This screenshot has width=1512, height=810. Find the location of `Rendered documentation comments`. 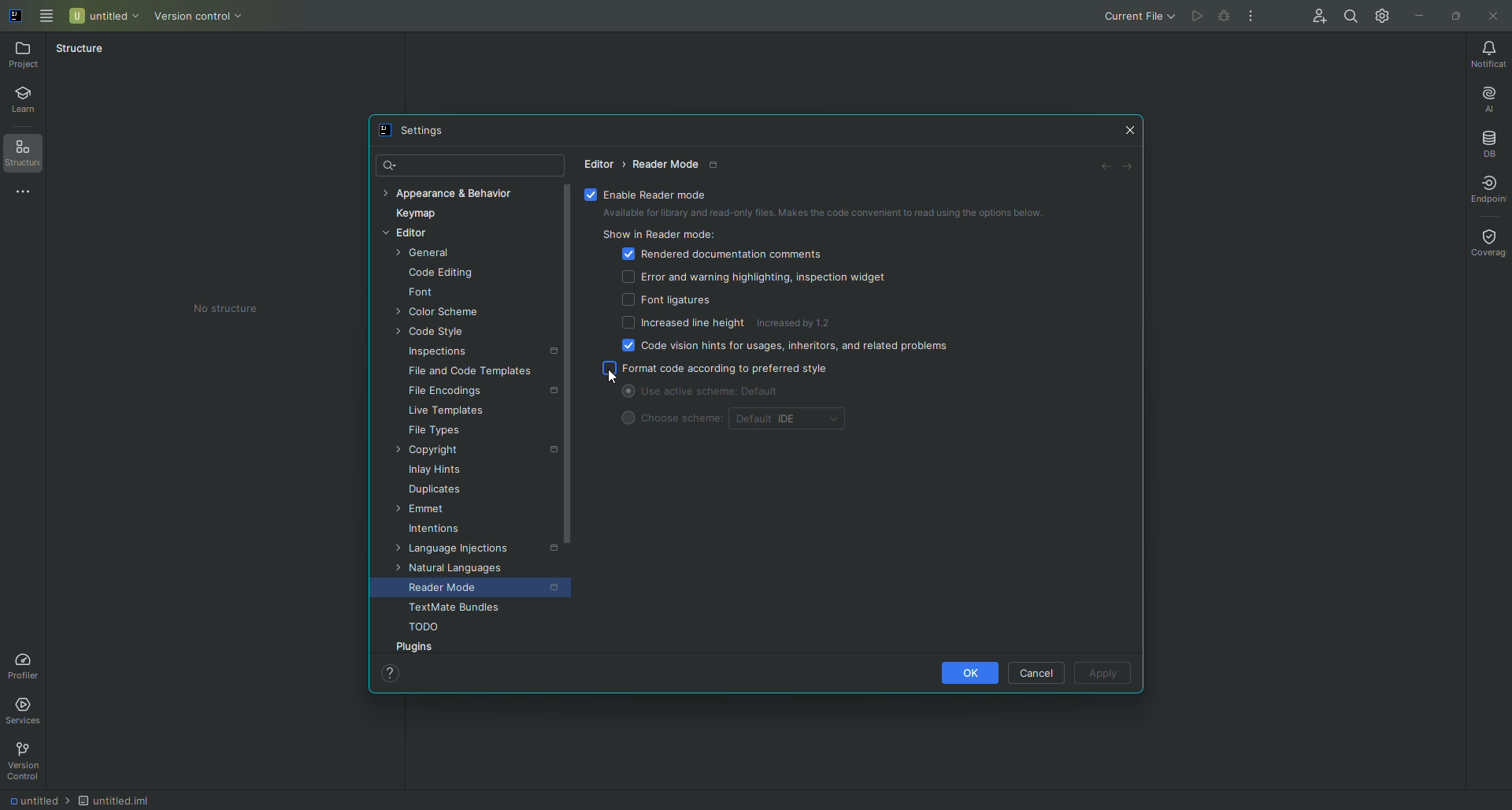

Rendered documentation comments is located at coordinates (723, 255).